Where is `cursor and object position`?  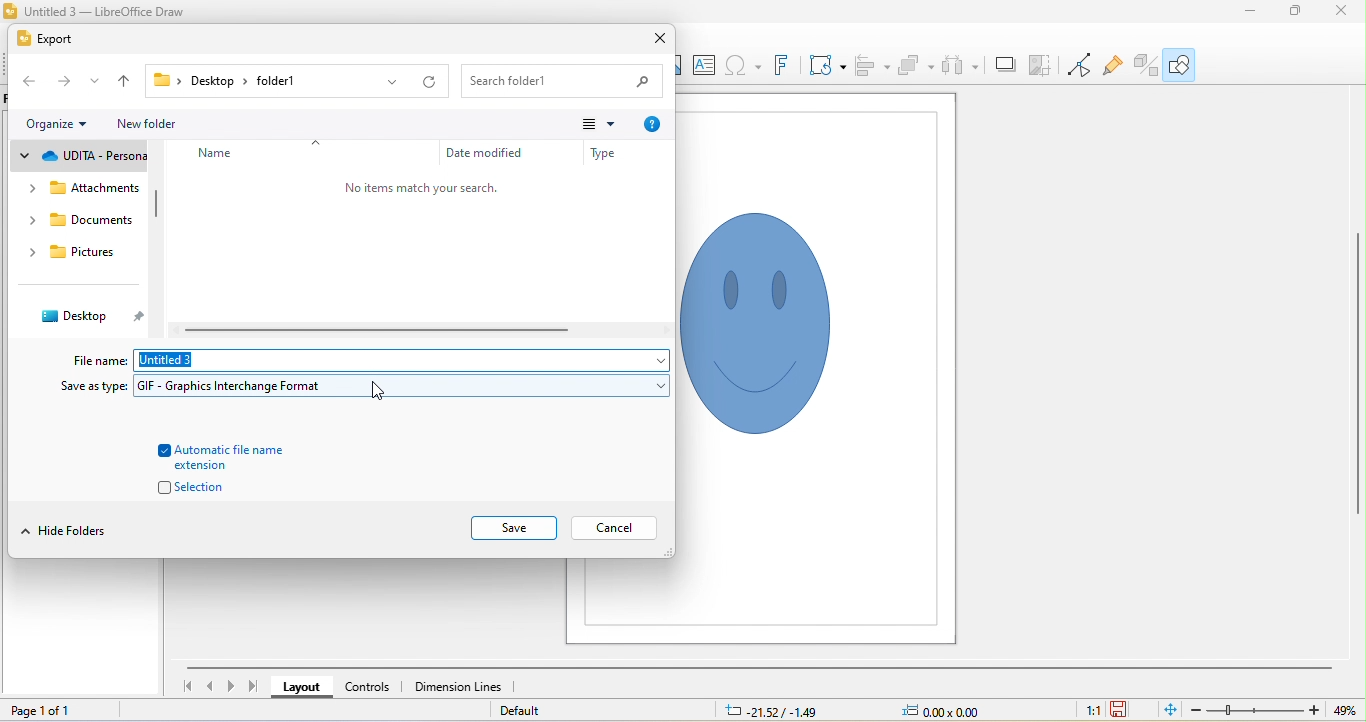
cursor and object position is located at coordinates (851, 709).